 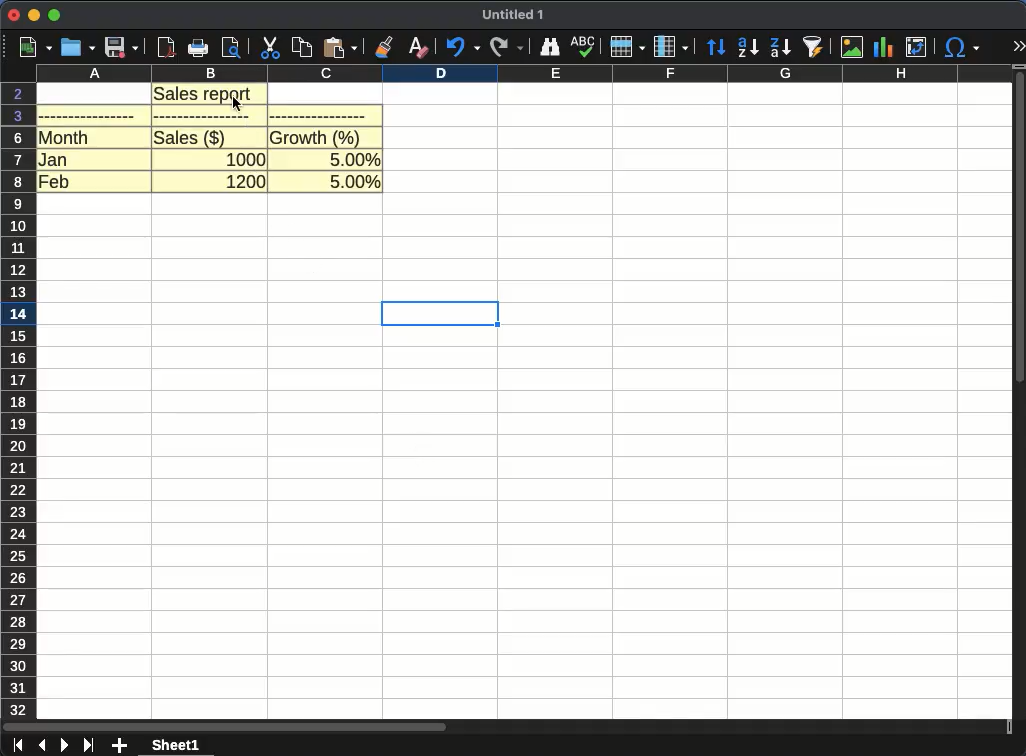 I want to click on print preview, so click(x=232, y=47).